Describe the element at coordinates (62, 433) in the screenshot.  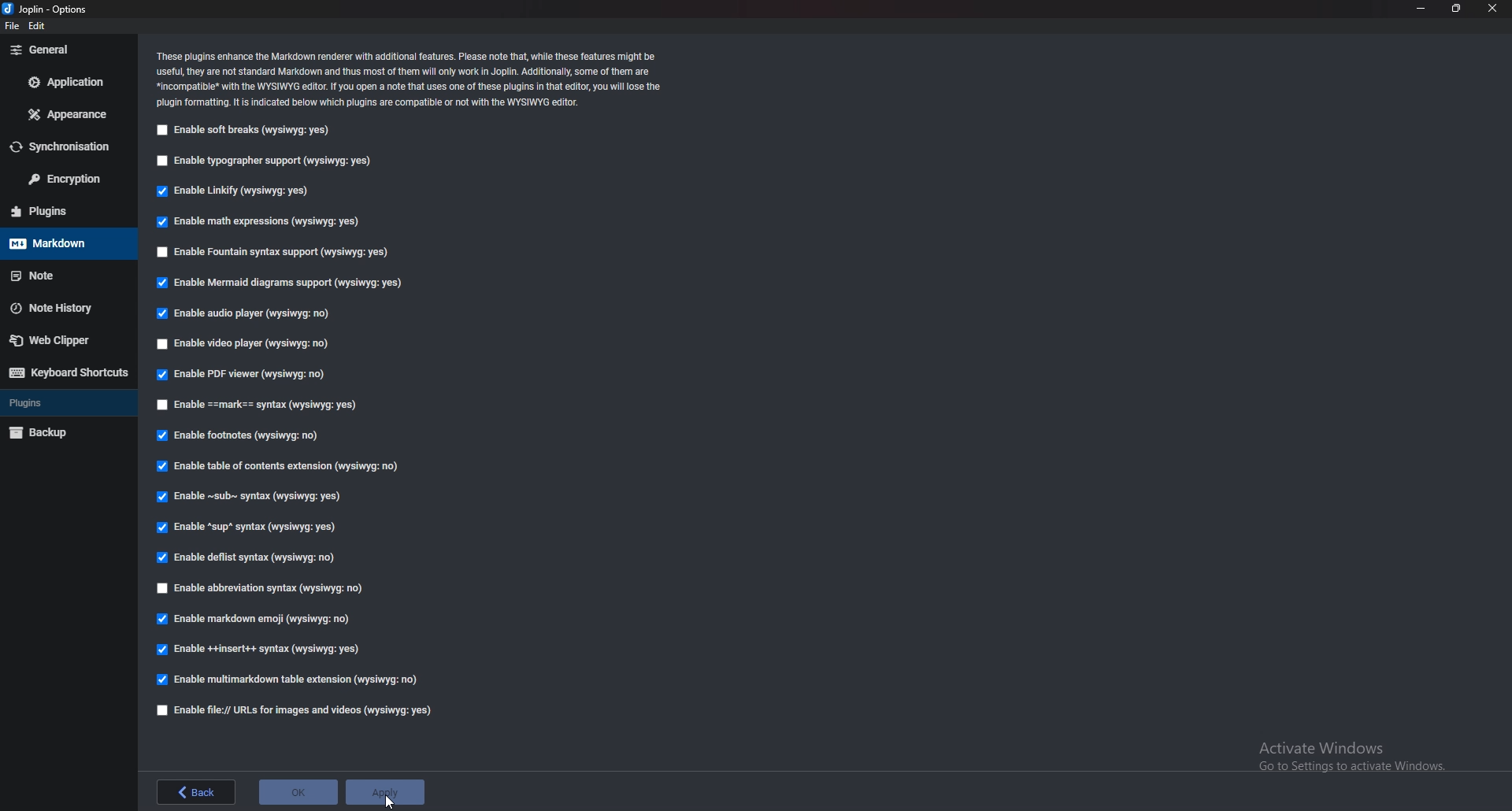
I see `backup` at that location.